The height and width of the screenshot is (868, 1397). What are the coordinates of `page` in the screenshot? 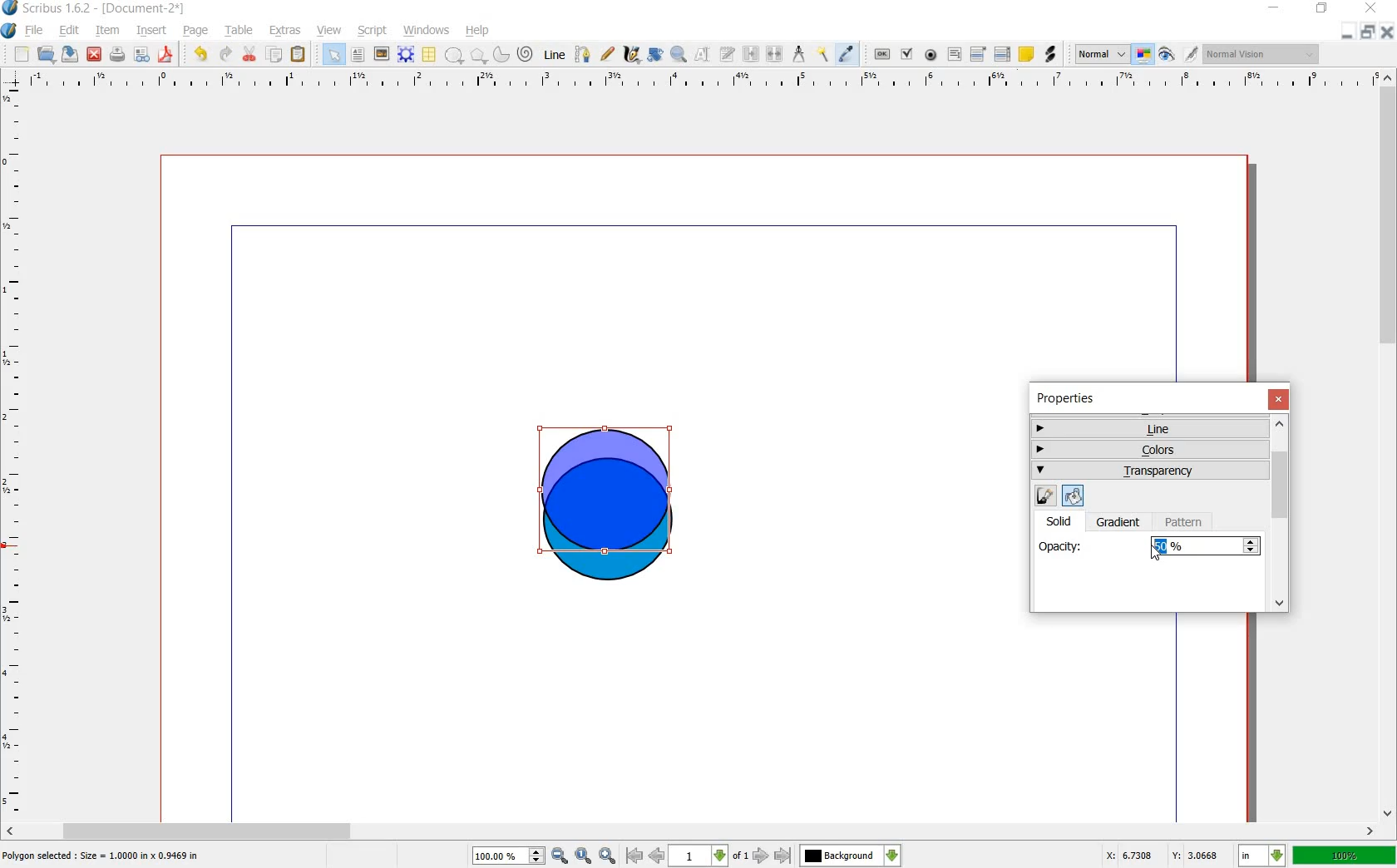 It's located at (198, 31).